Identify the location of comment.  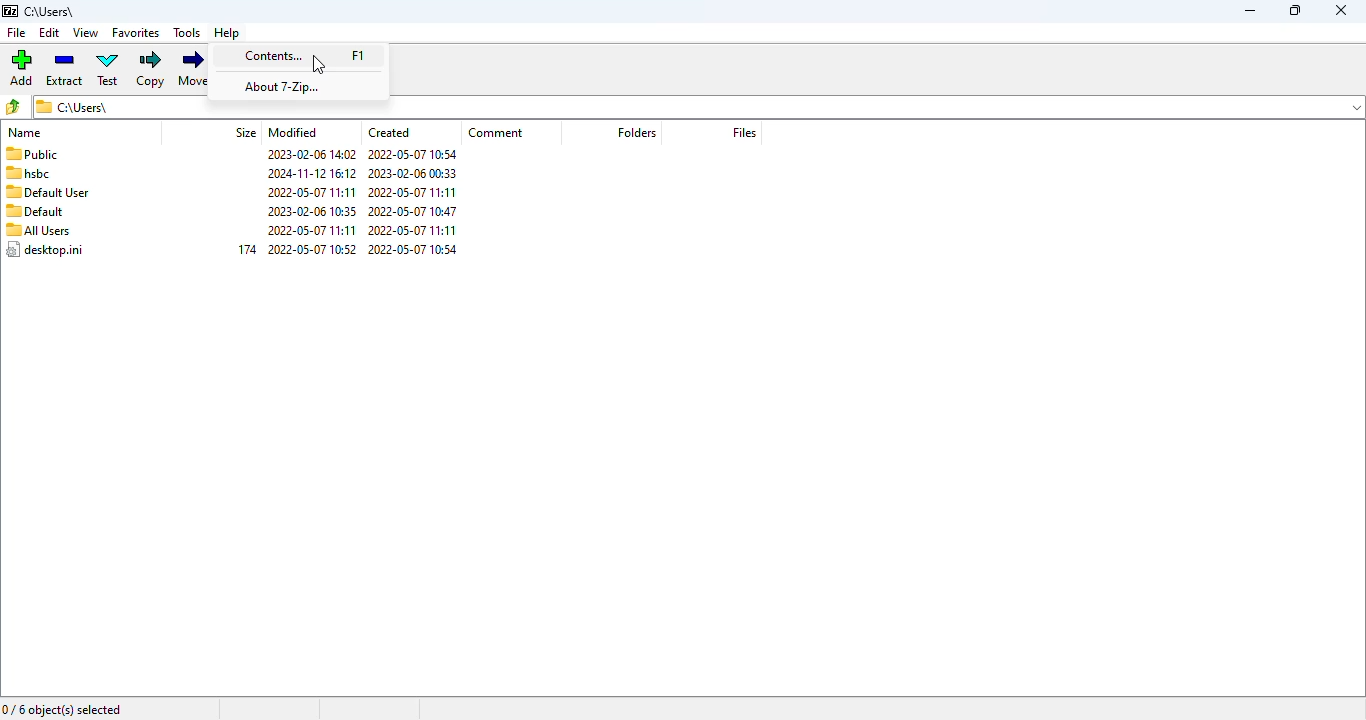
(496, 132).